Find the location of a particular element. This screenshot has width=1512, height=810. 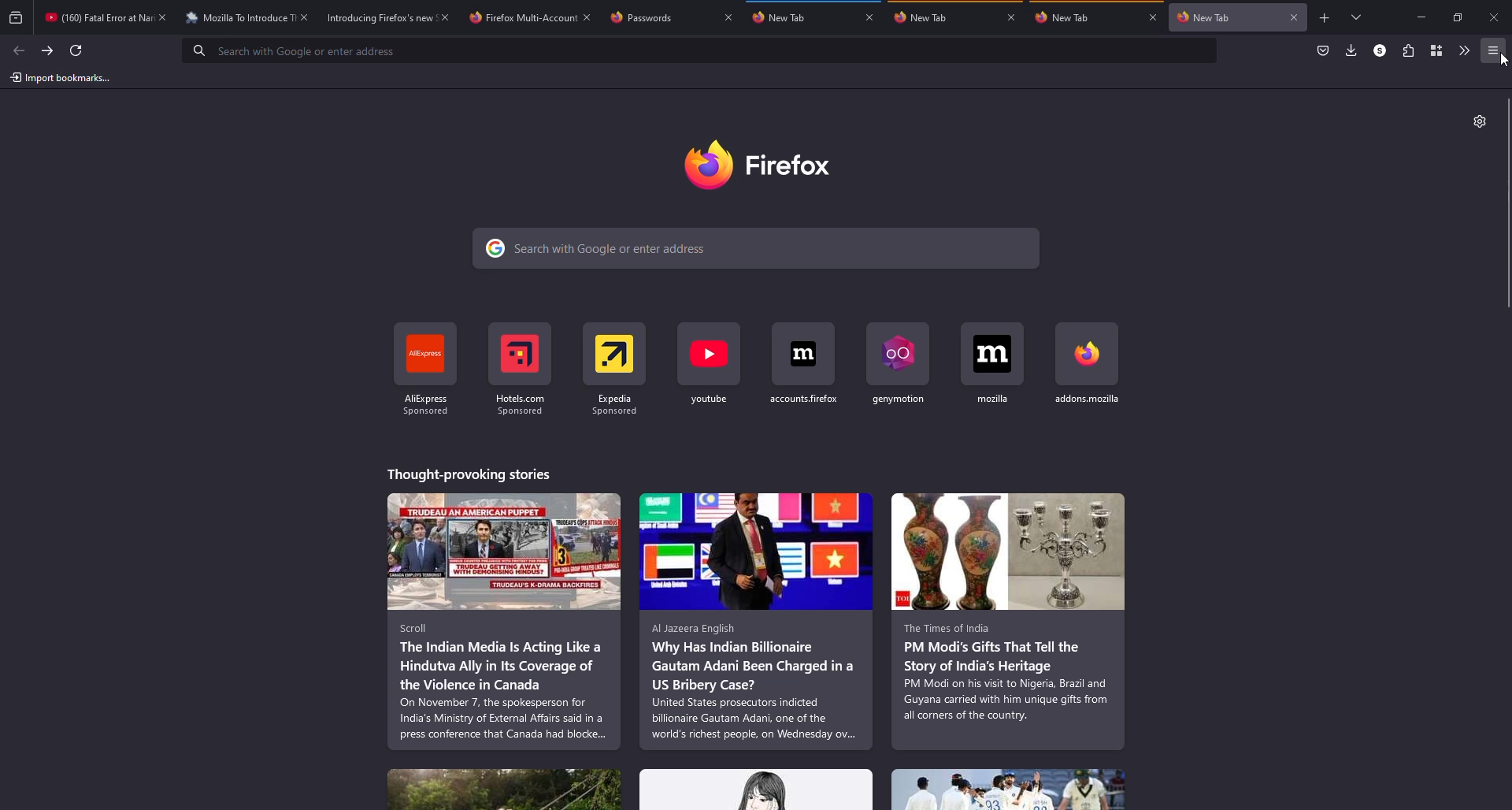

close is located at coordinates (1495, 17).